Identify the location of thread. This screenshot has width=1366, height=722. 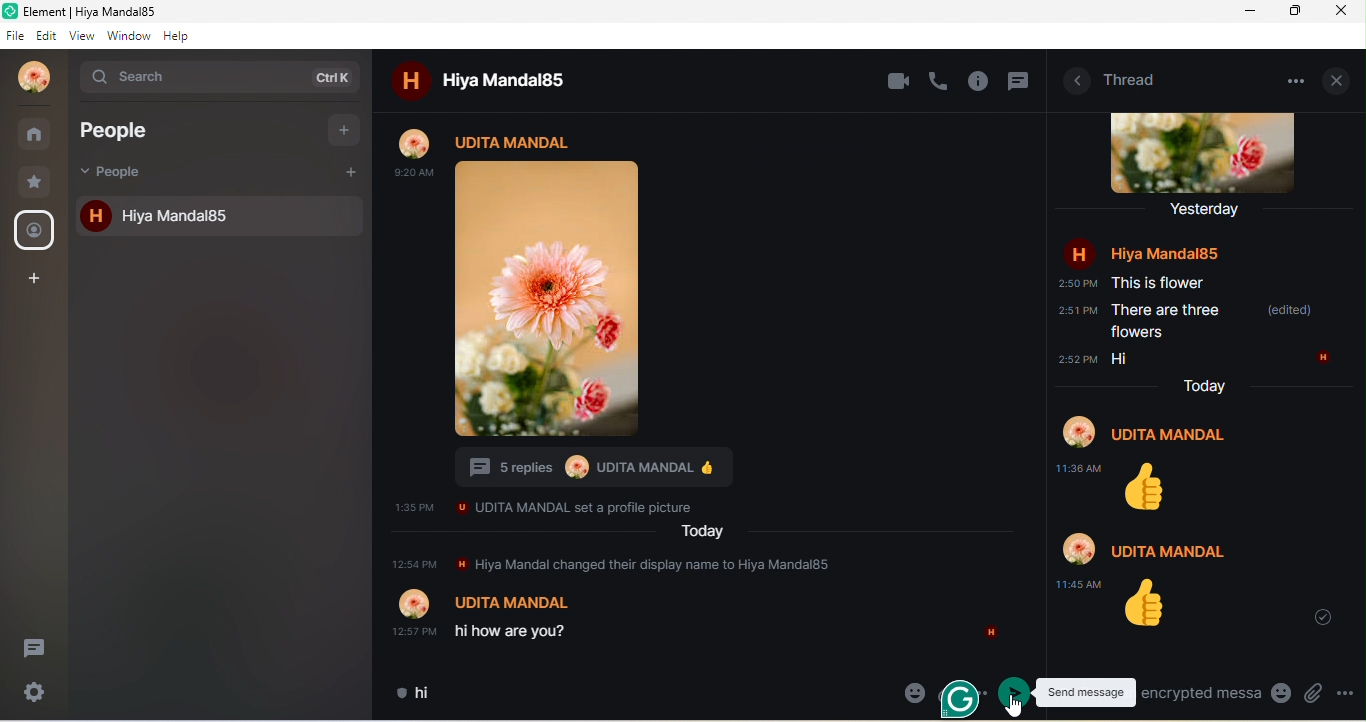
(1020, 83).